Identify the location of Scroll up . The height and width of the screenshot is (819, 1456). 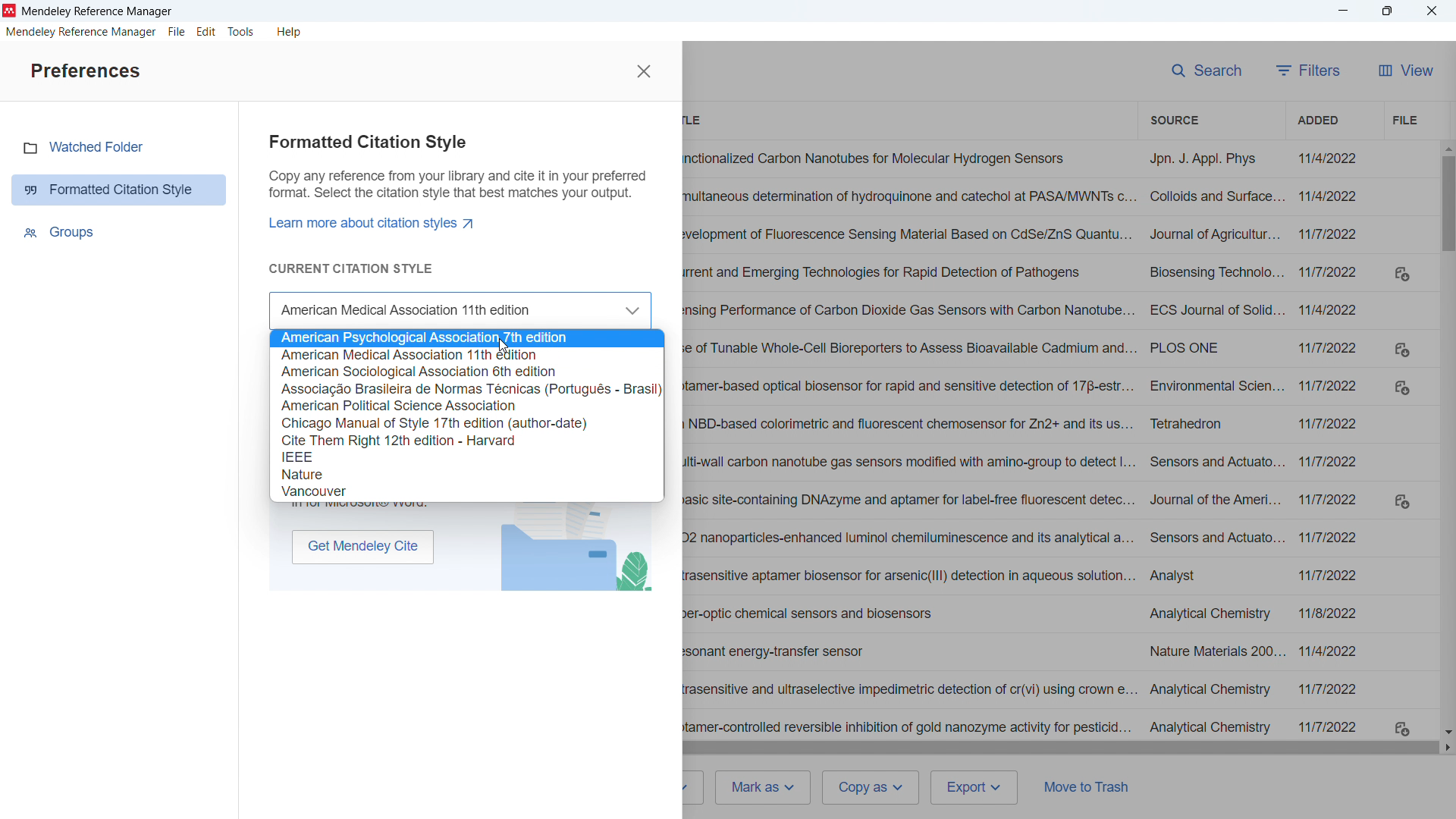
(1447, 149).